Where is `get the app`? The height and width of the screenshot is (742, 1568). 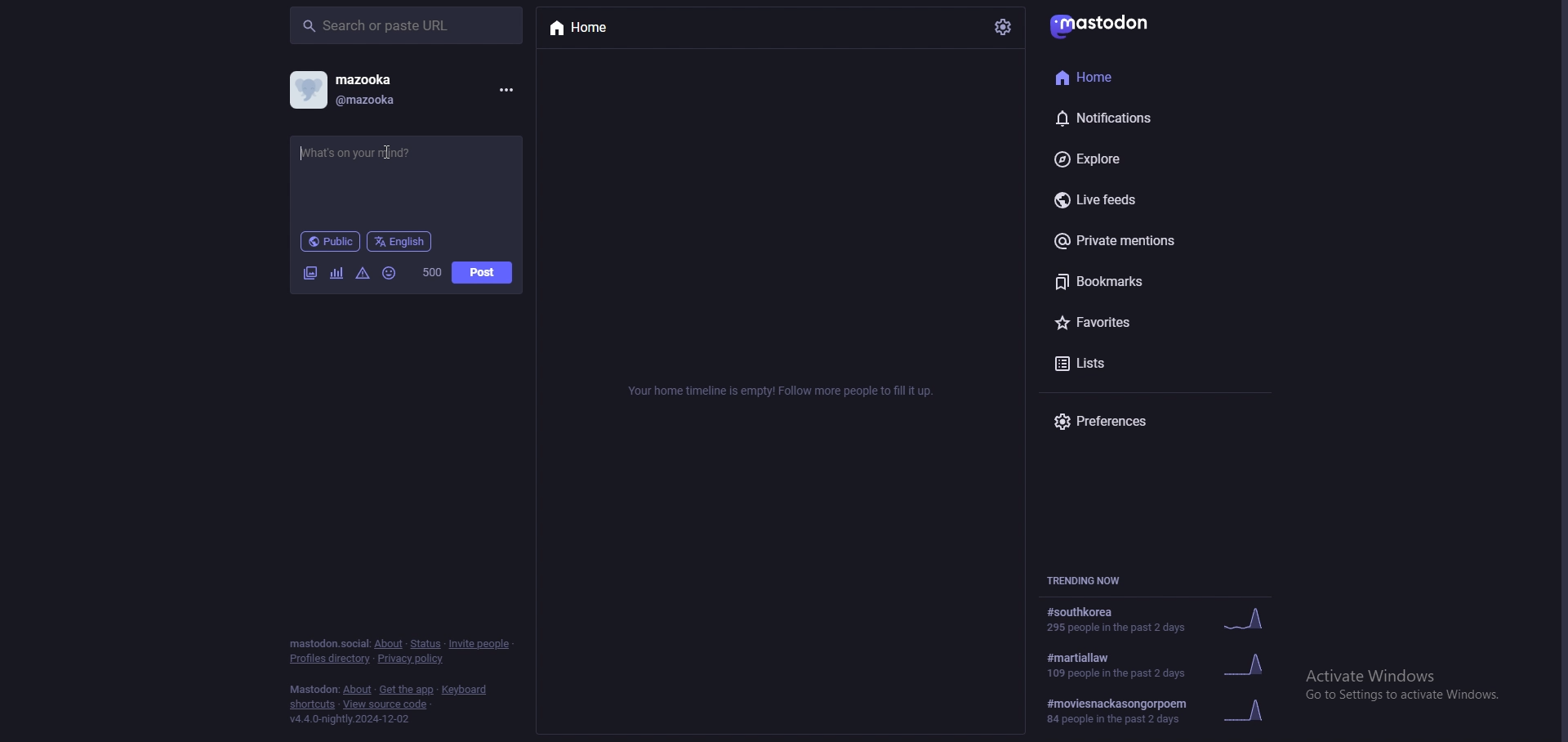
get the app is located at coordinates (409, 689).